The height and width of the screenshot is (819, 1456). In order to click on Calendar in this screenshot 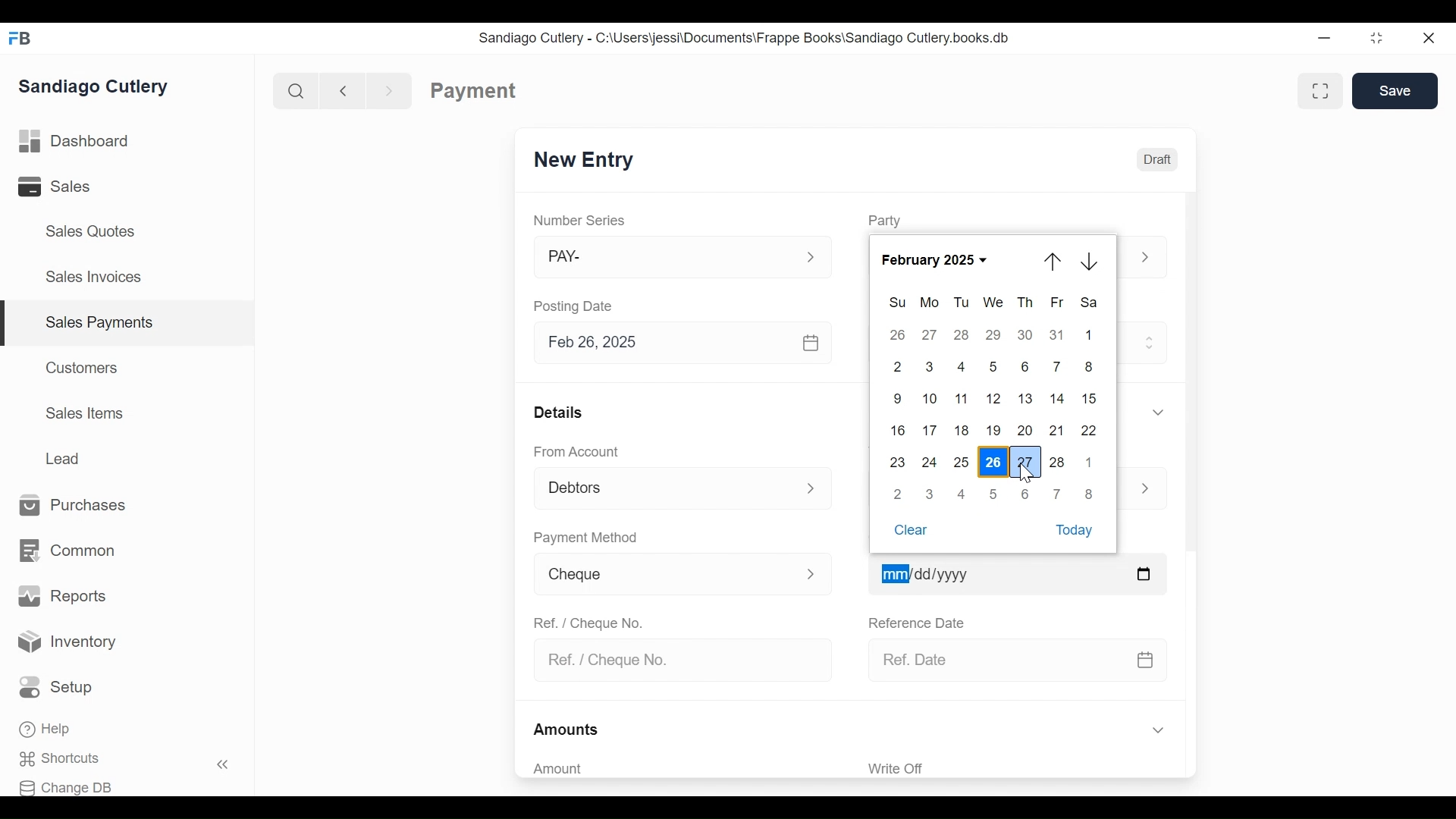, I will do `click(1144, 575)`.